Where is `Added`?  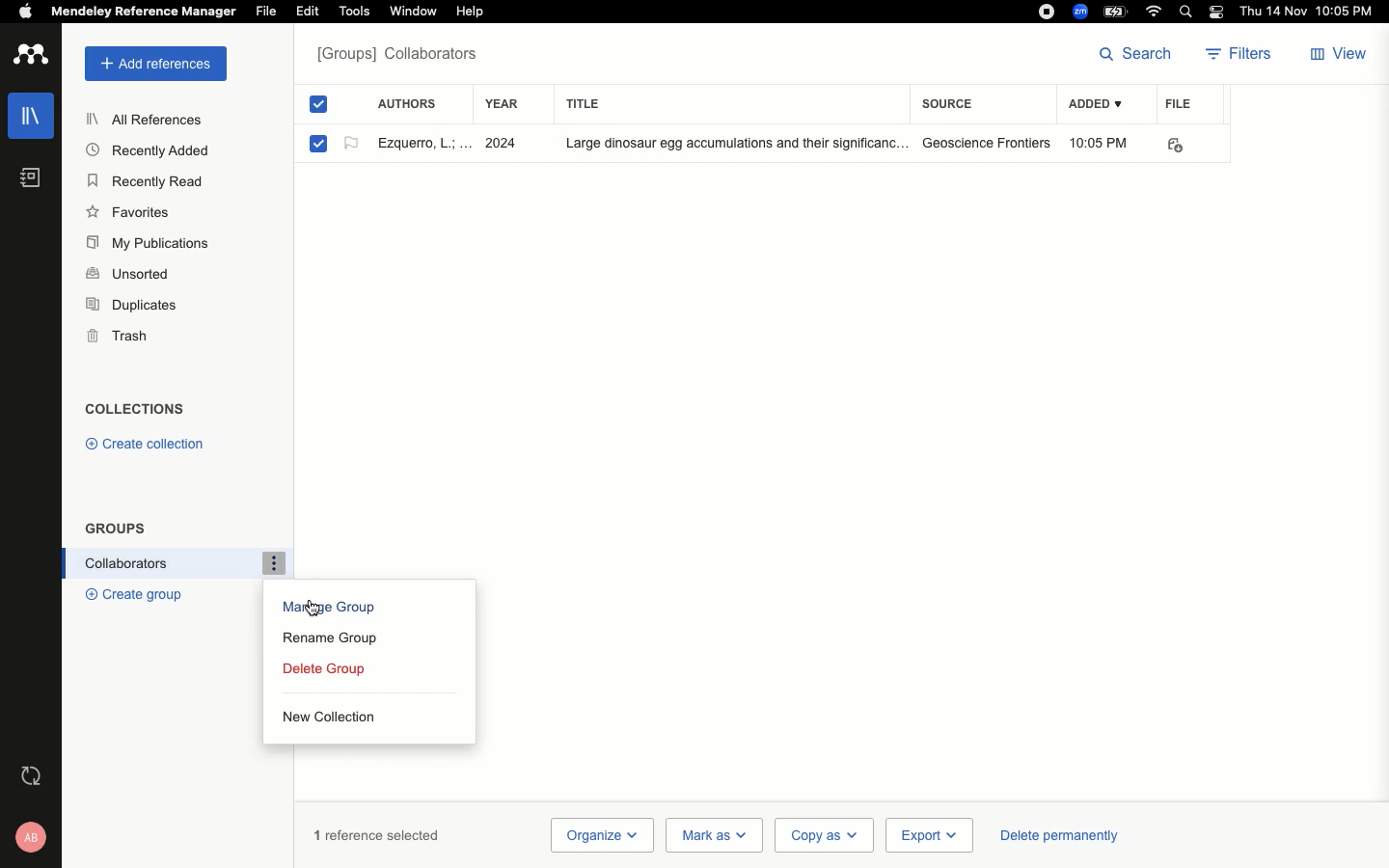
Added is located at coordinates (1094, 105).